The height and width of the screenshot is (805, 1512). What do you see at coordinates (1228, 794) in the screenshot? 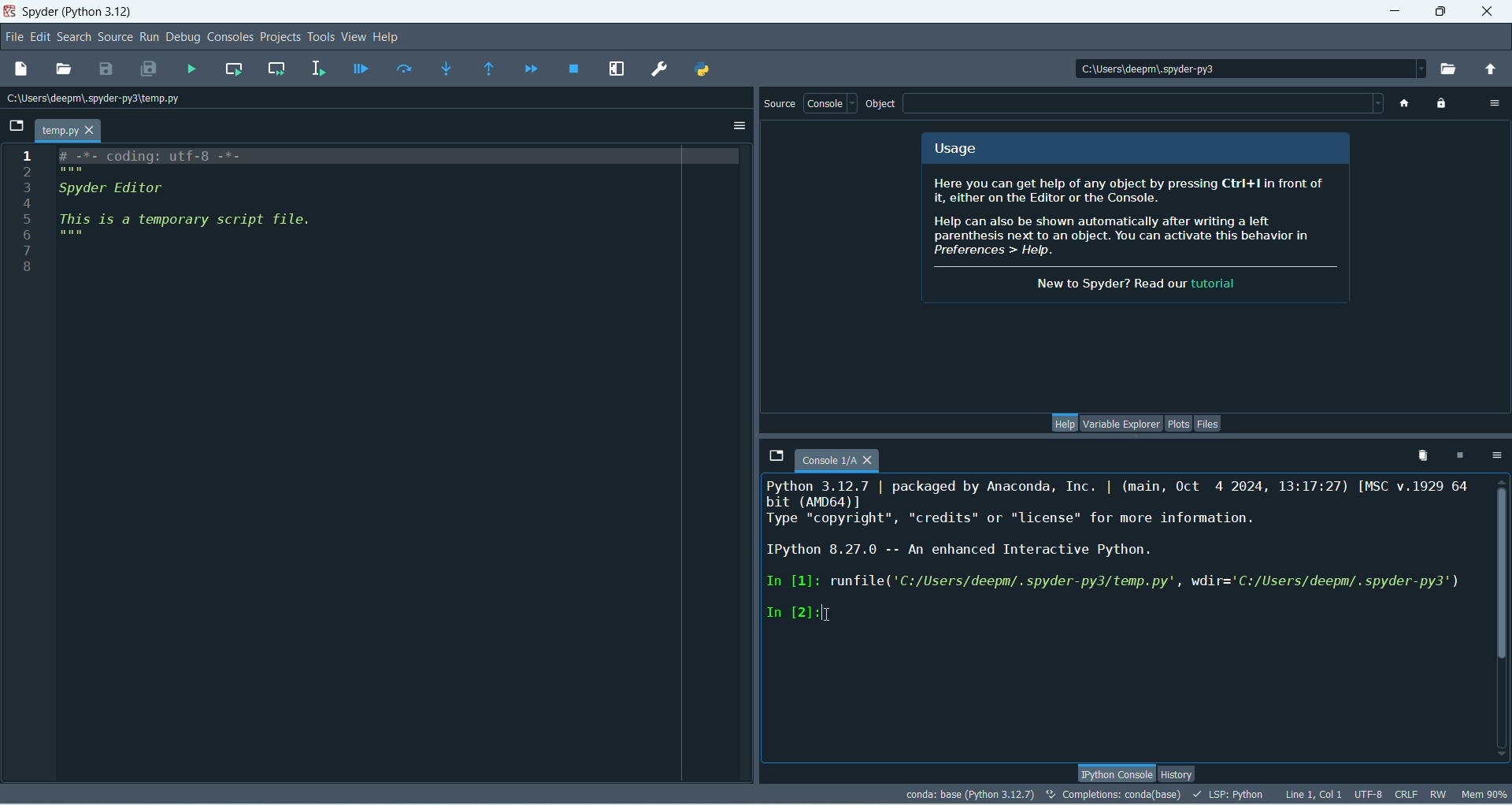
I see `LSP-PYTHON` at bounding box center [1228, 794].